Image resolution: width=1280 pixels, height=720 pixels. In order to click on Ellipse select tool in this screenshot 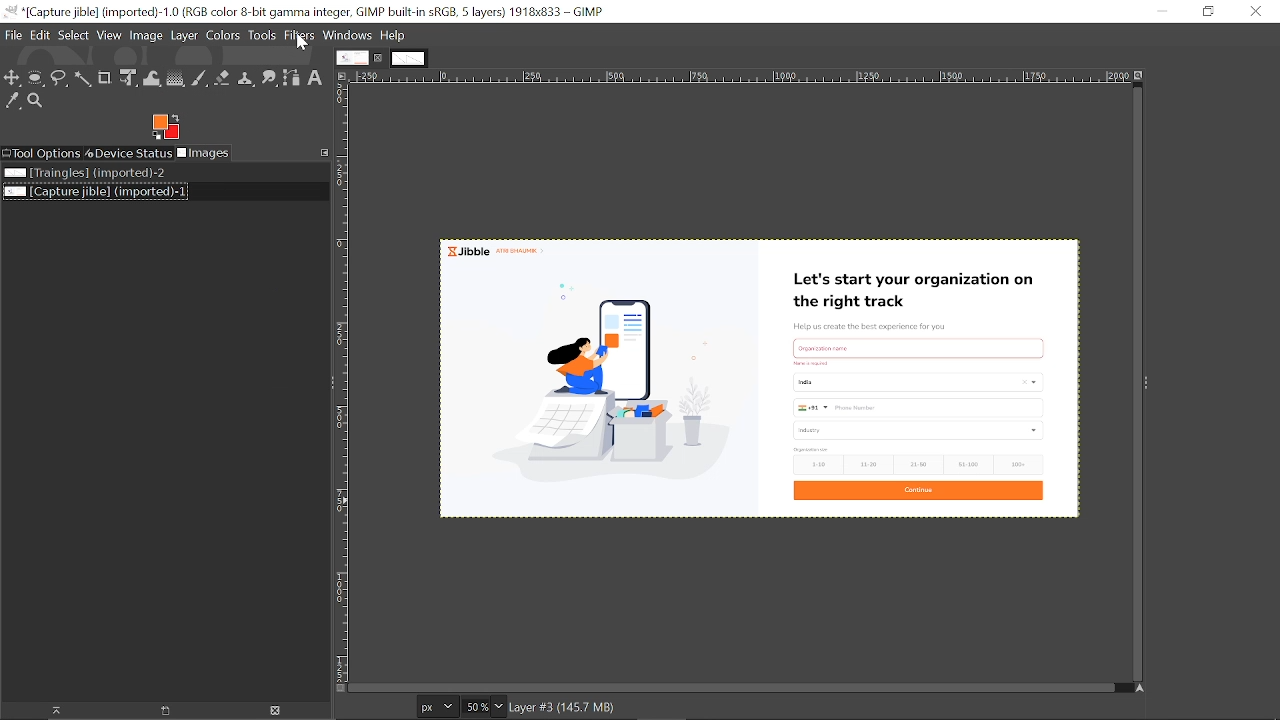, I will do `click(36, 79)`.